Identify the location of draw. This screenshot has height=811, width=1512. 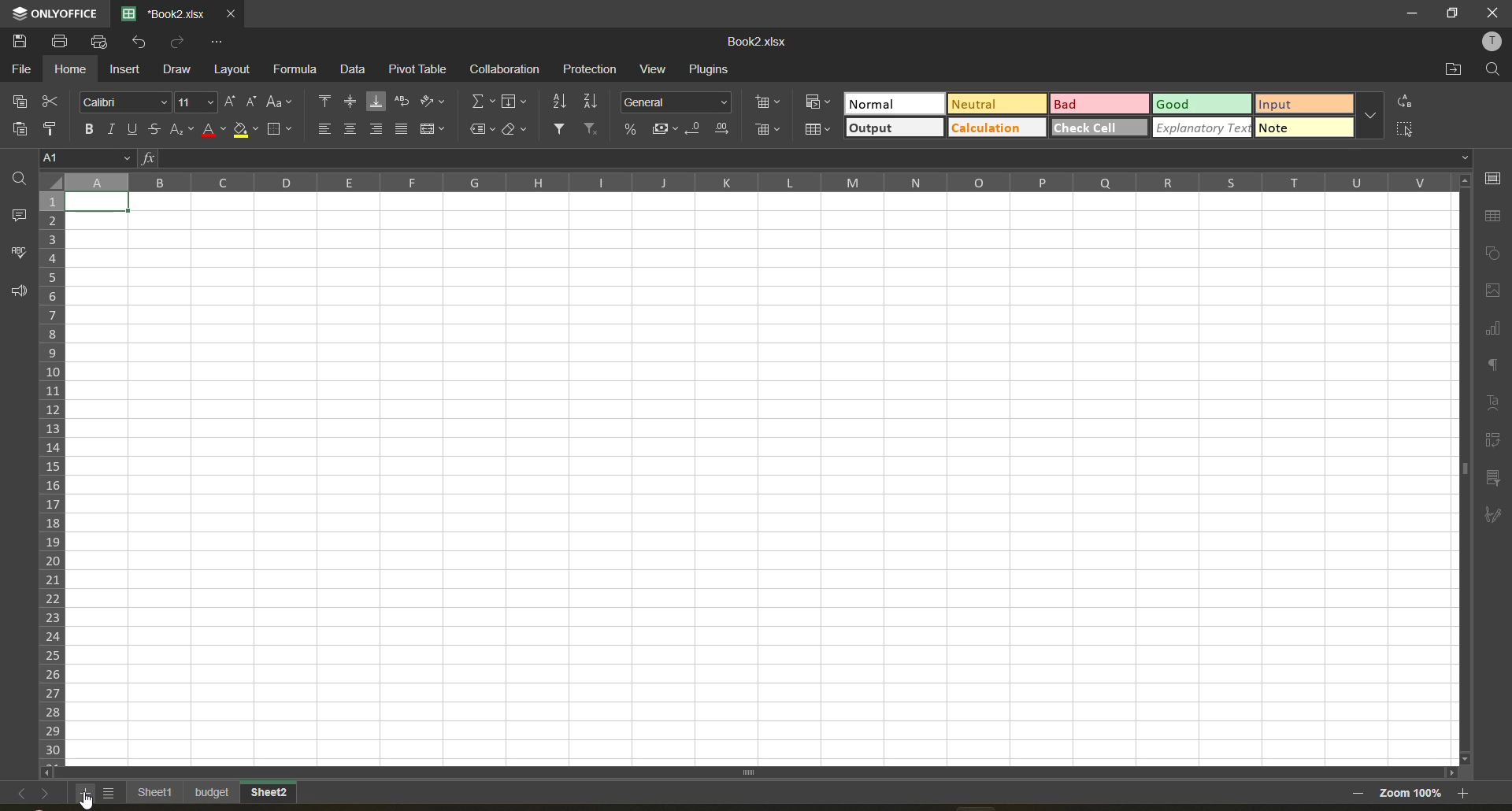
(183, 71).